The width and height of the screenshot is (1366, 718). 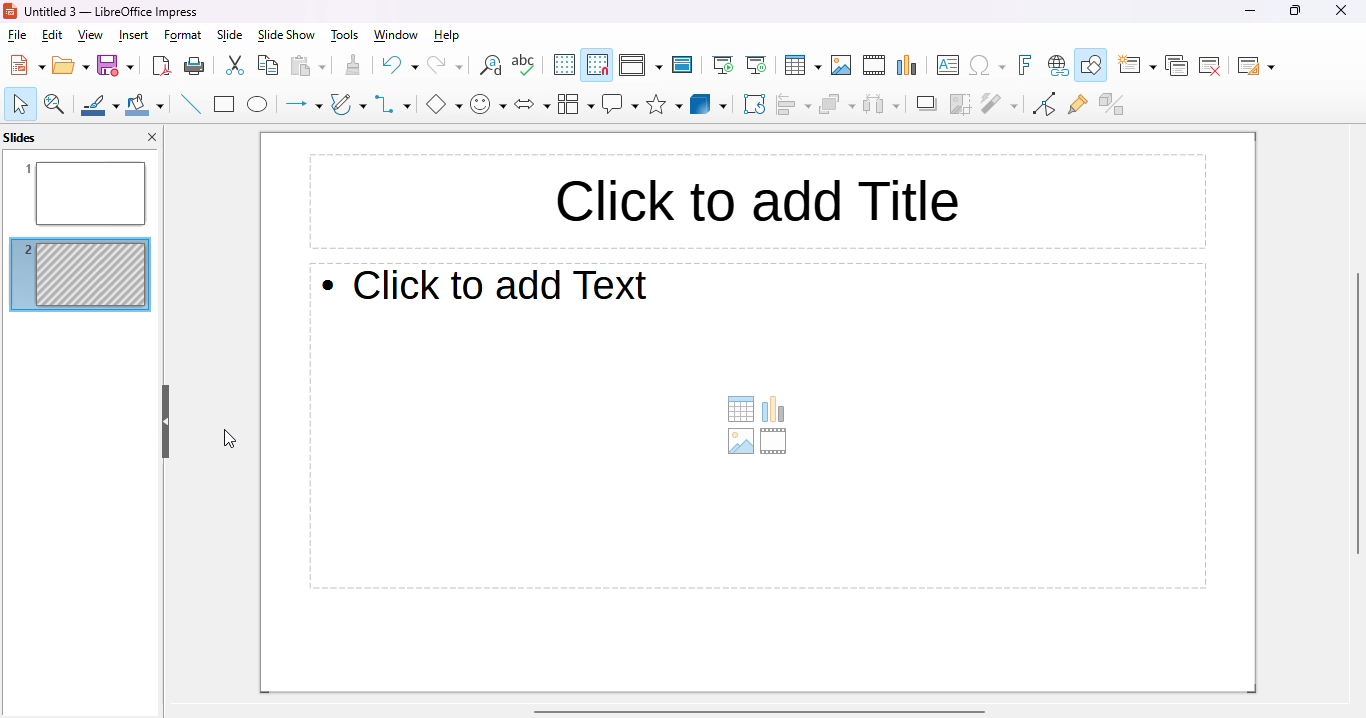 I want to click on view, so click(x=90, y=35).